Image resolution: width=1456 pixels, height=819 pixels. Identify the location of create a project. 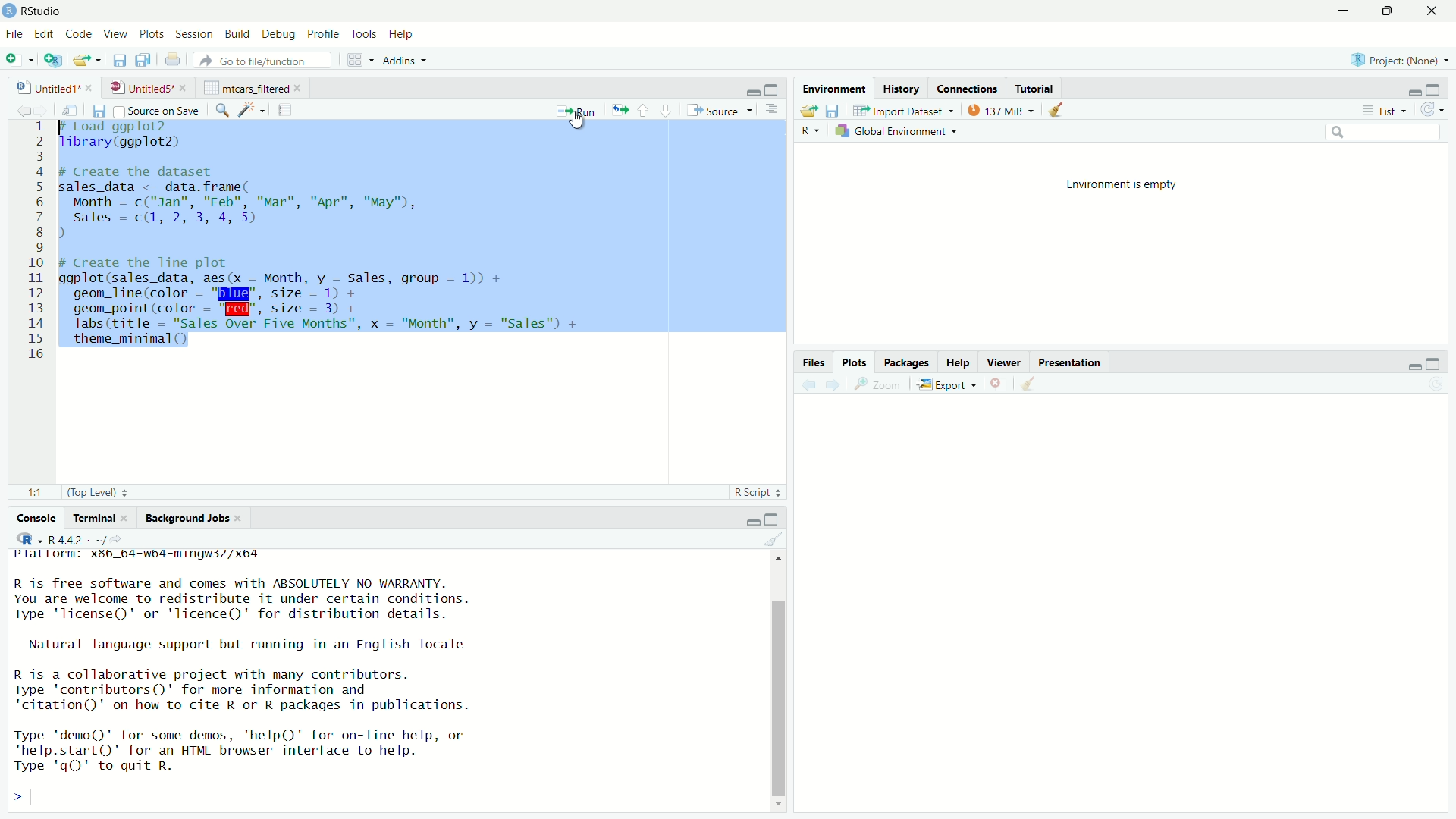
(53, 60).